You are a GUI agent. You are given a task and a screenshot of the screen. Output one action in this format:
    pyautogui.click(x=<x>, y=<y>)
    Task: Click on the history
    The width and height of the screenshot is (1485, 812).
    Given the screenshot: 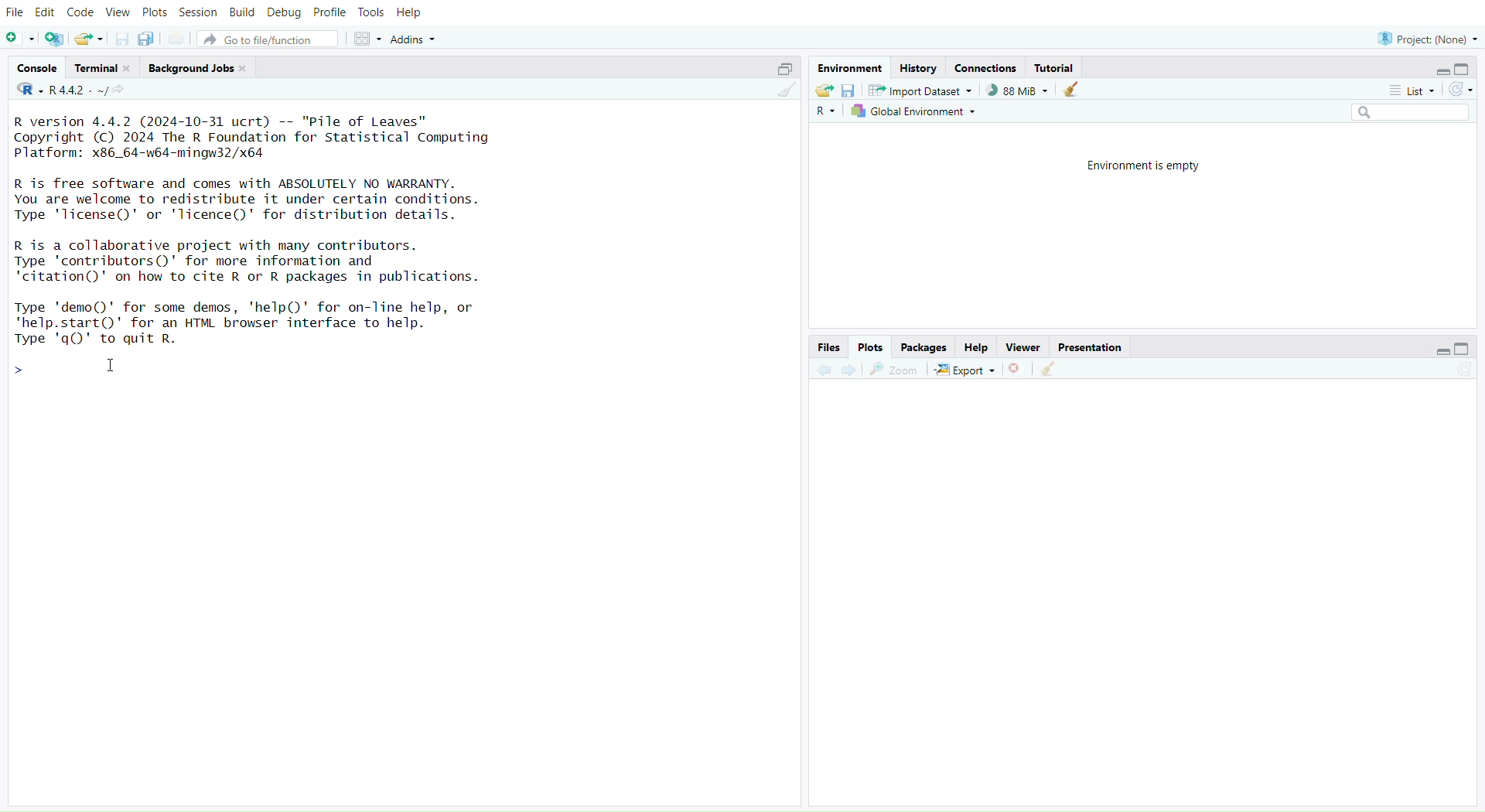 What is the action you would take?
    pyautogui.click(x=920, y=69)
    